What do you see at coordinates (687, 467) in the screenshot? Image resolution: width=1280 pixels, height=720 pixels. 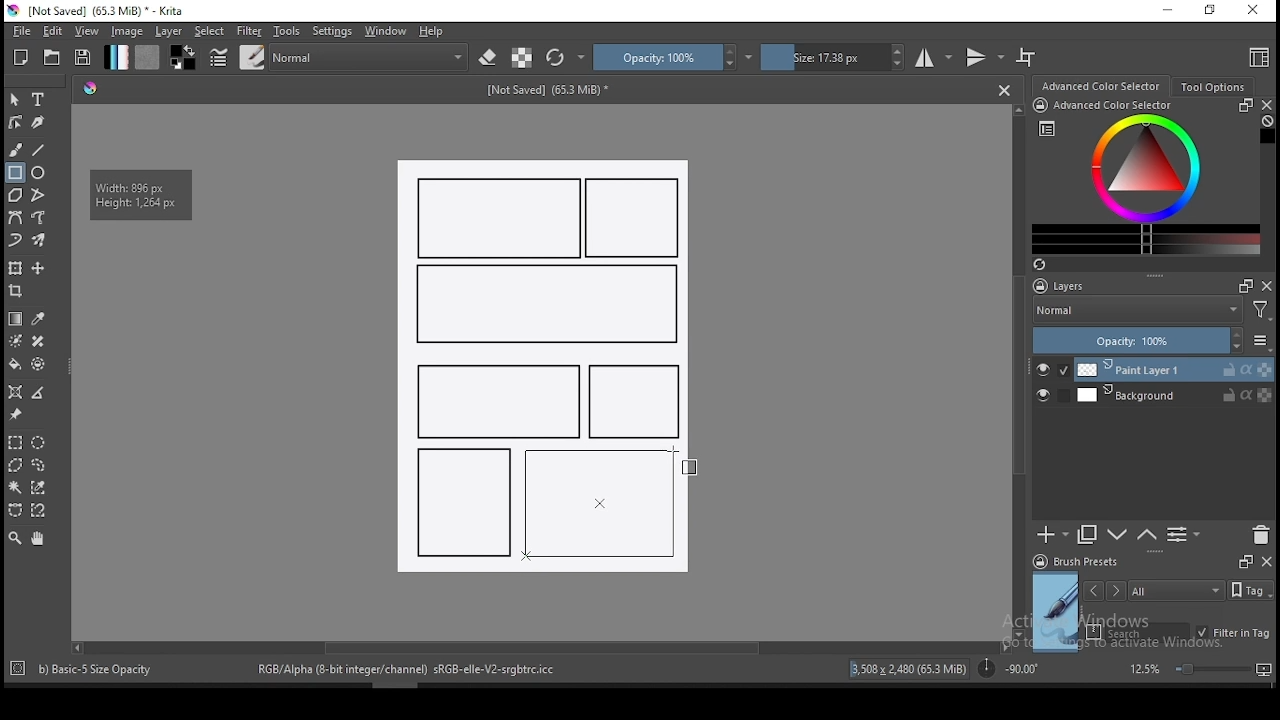 I see `mouse pointer` at bounding box center [687, 467].